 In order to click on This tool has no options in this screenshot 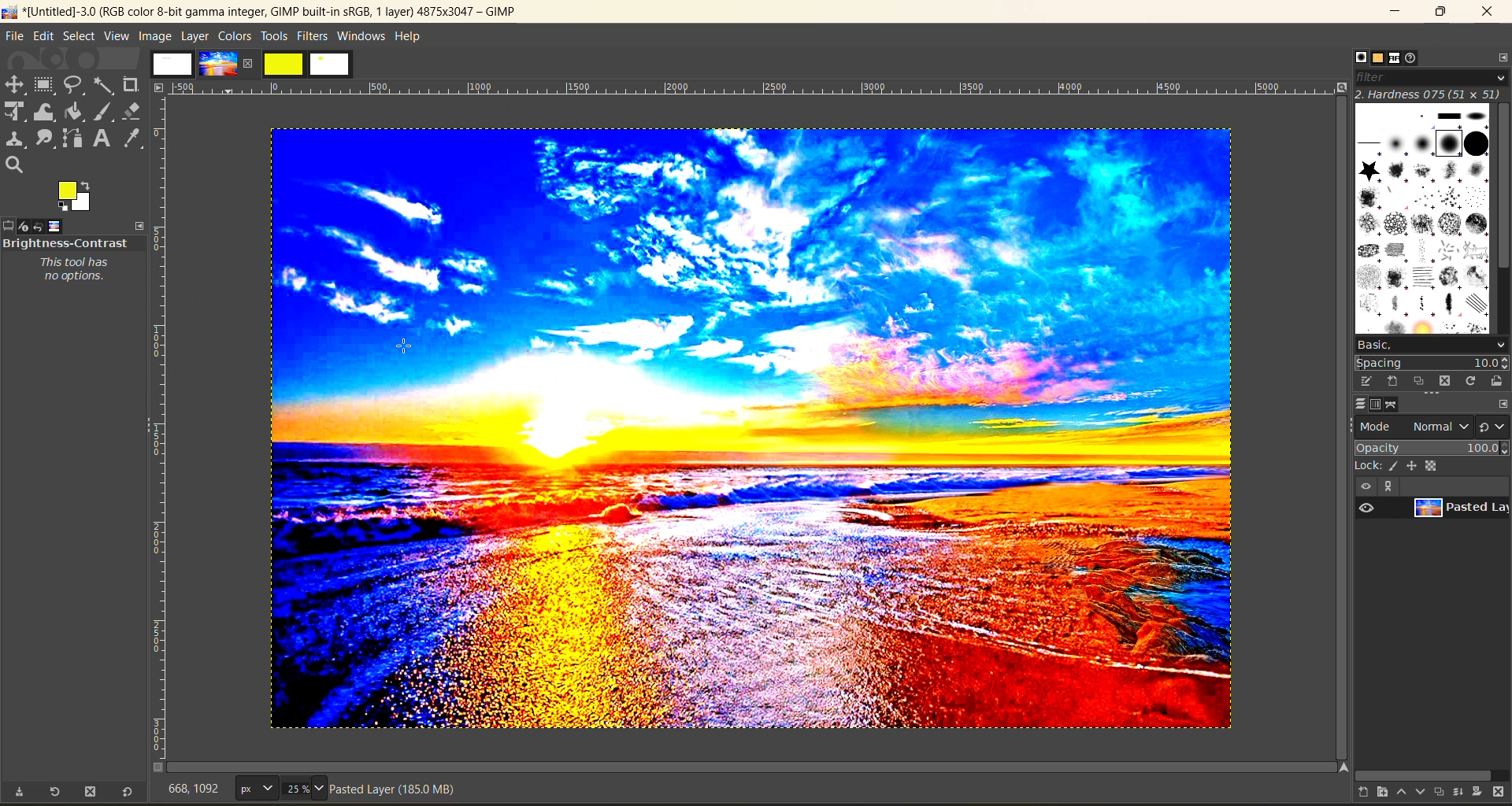, I will do `click(81, 272)`.